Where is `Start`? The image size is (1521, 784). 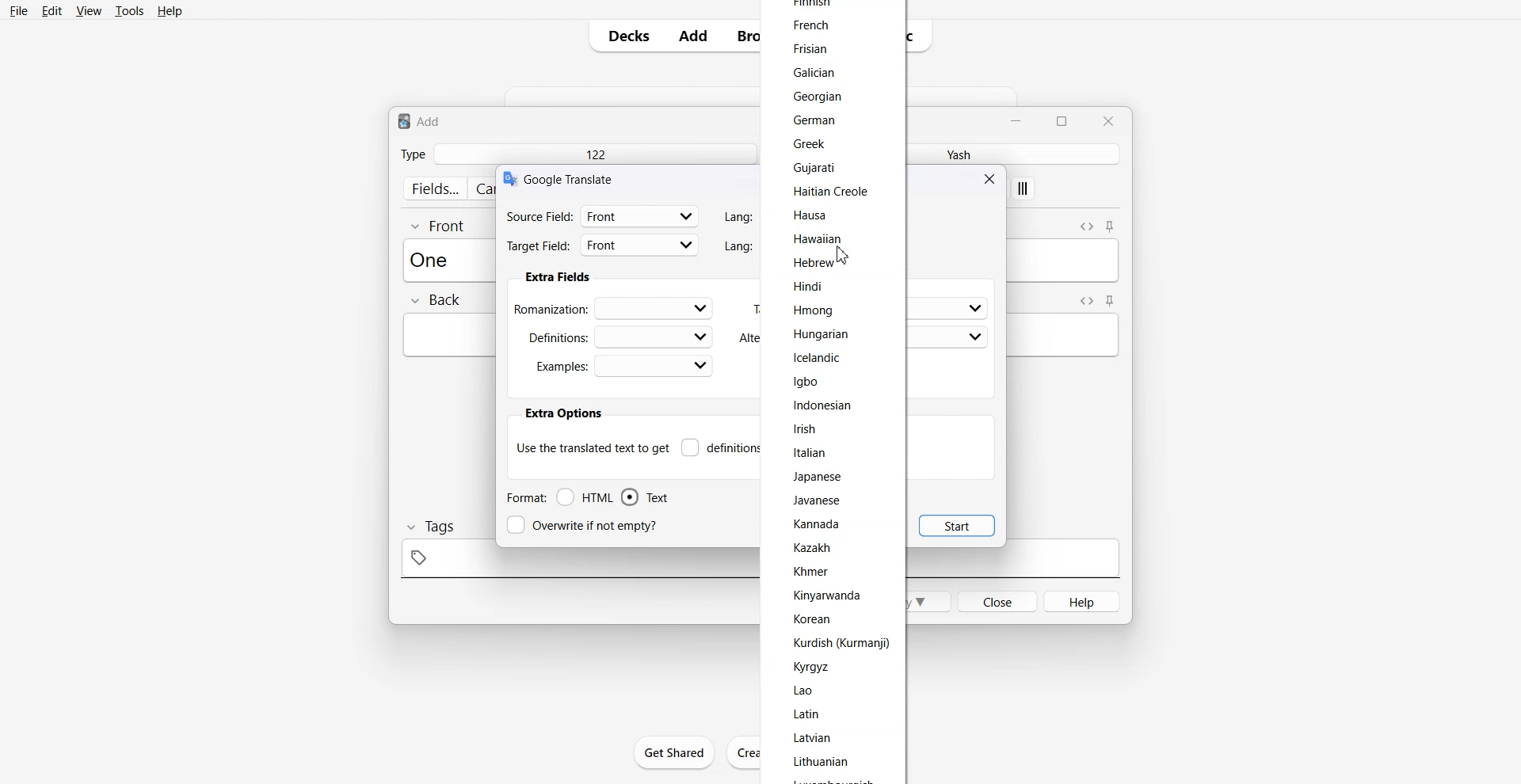
Start is located at coordinates (957, 525).